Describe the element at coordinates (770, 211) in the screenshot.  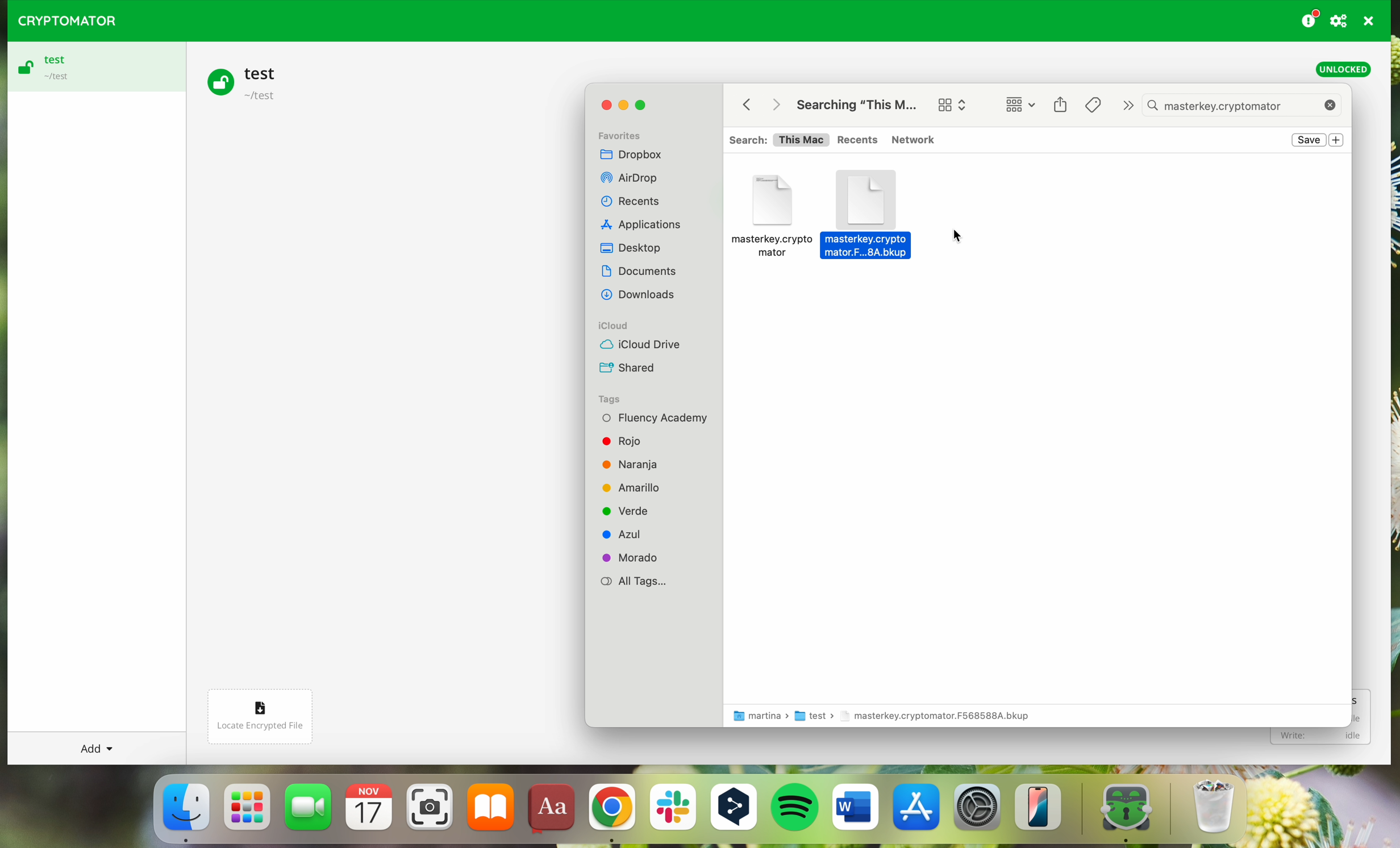
I see `masterkey.cryptomator backup folders` at that location.